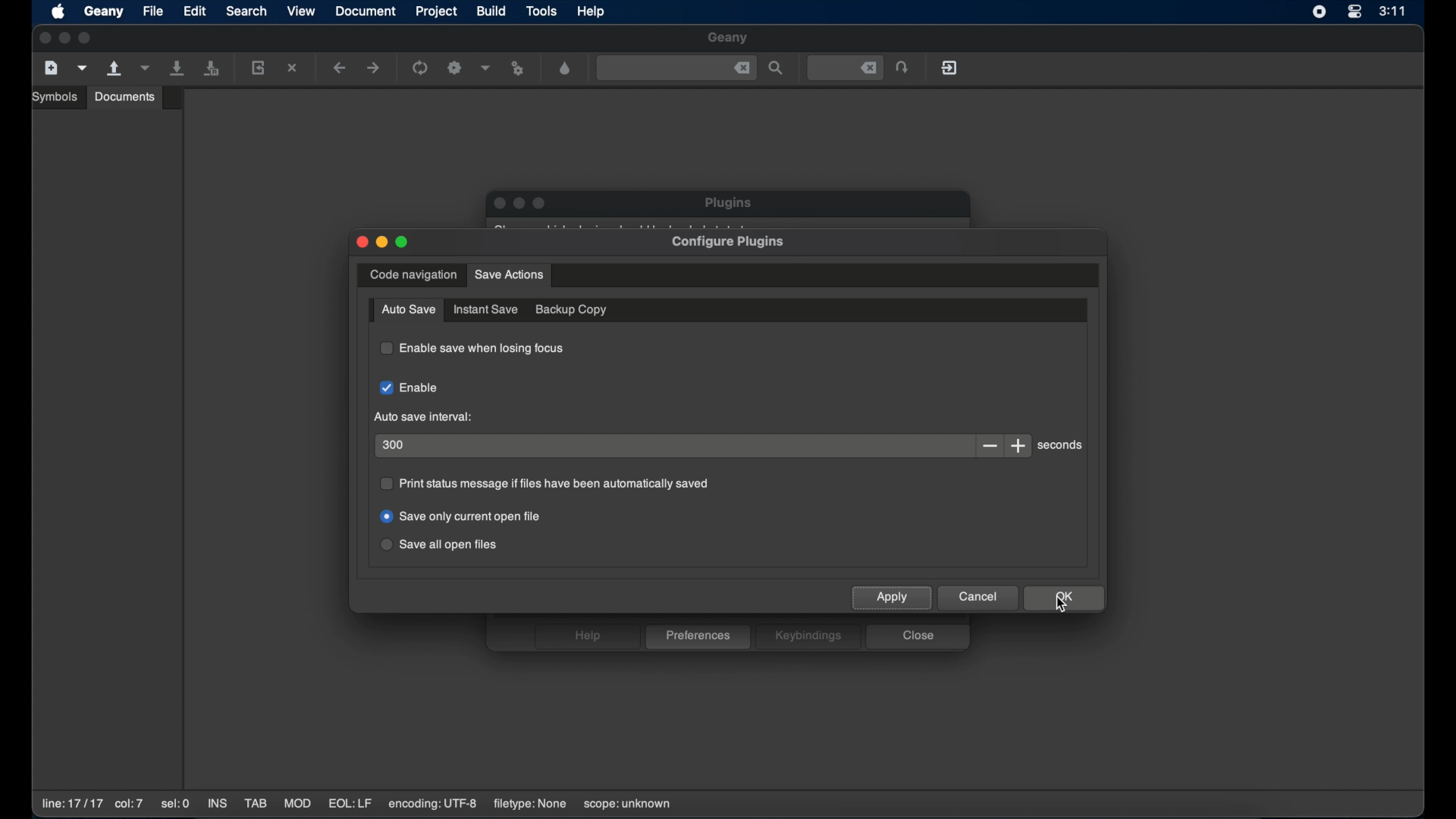 This screenshot has height=819, width=1456. I want to click on run or view the current file file, so click(520, 69).